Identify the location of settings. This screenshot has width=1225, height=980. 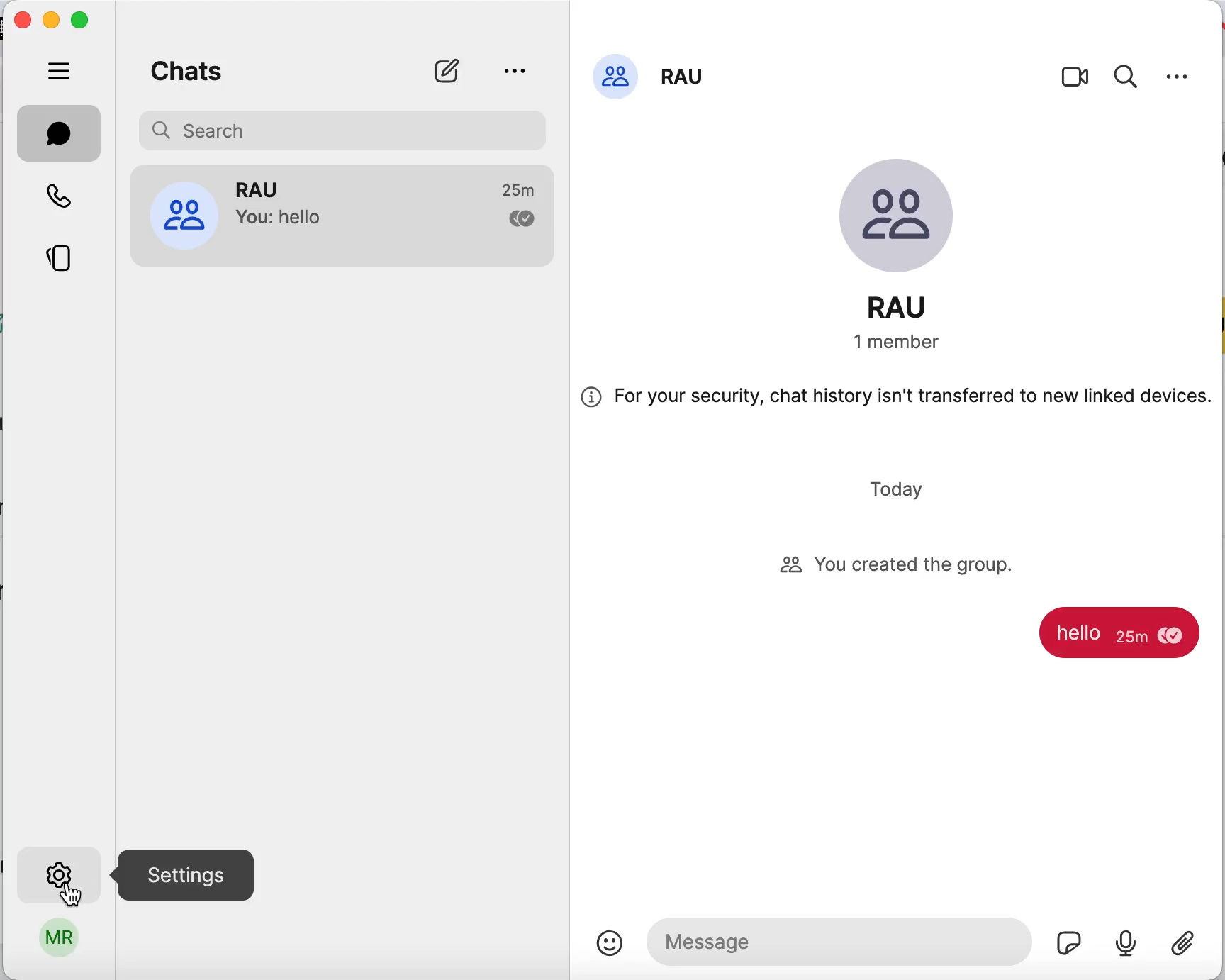
(1184, 70).